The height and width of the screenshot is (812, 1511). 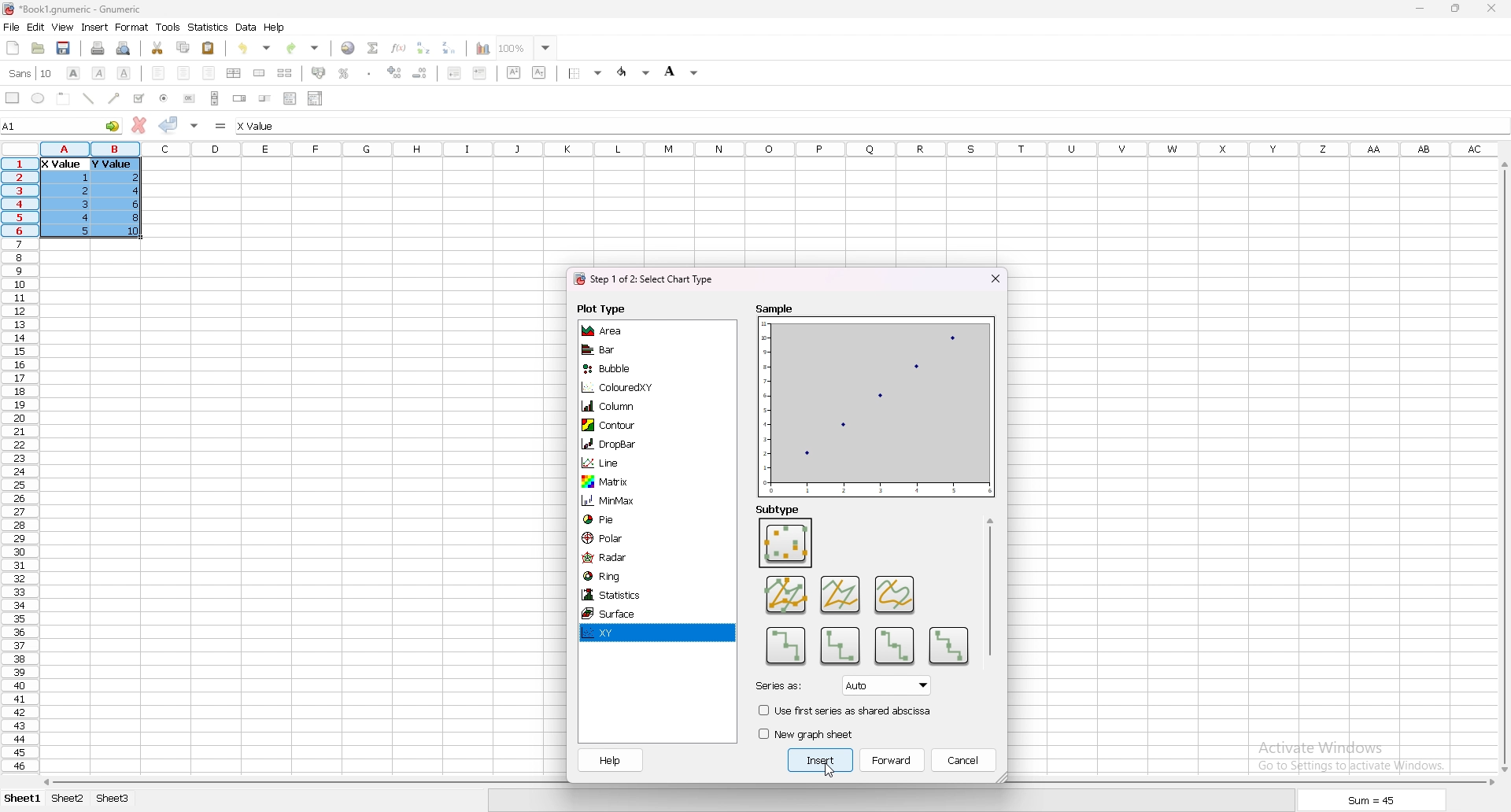 I want to click on increase decimals, so click(x=395, y=72).